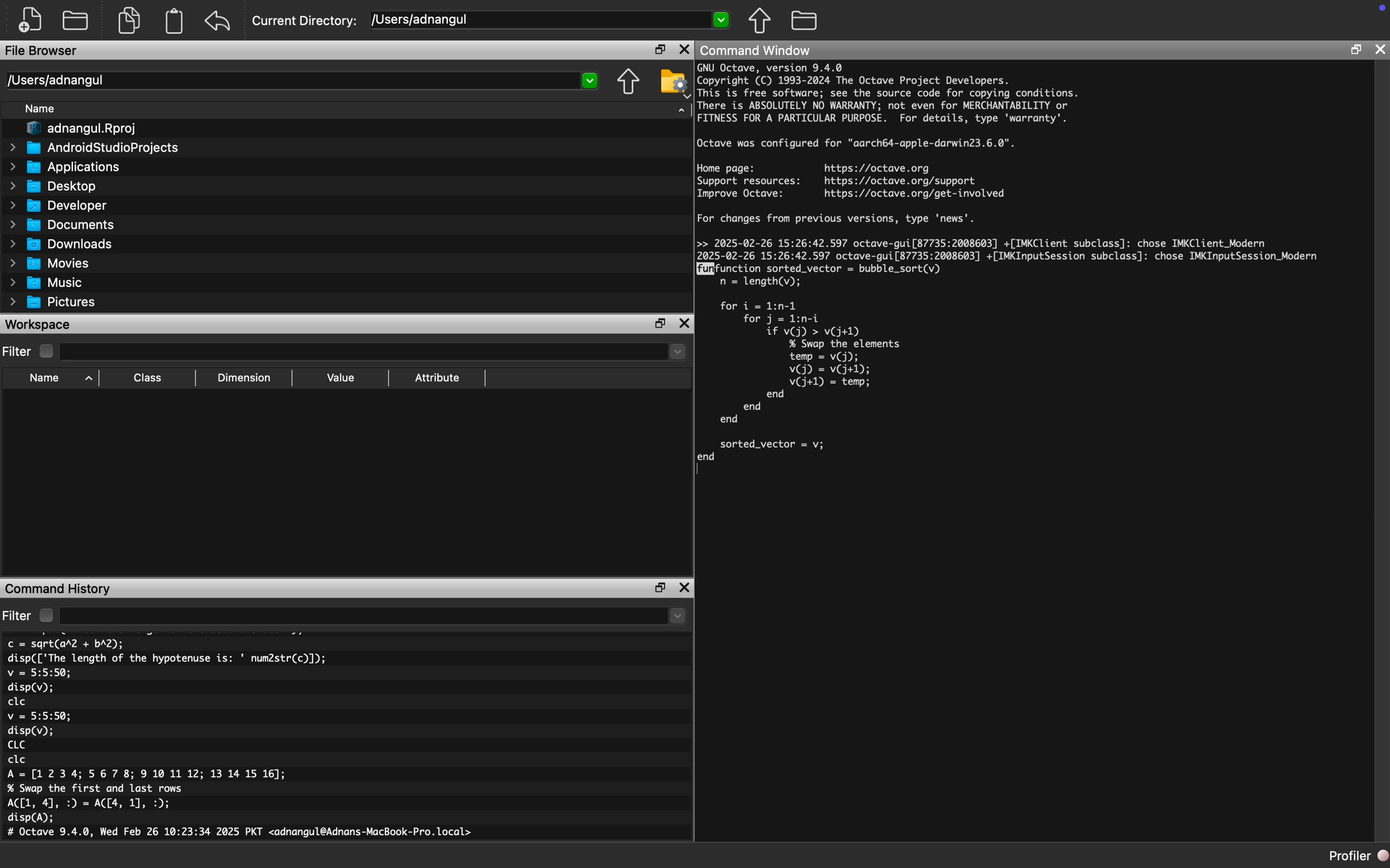 This screenshot has width=1390, height=868. Describe the element at coordinates (17, 702) in the screenshot. I see `clc` at that location.